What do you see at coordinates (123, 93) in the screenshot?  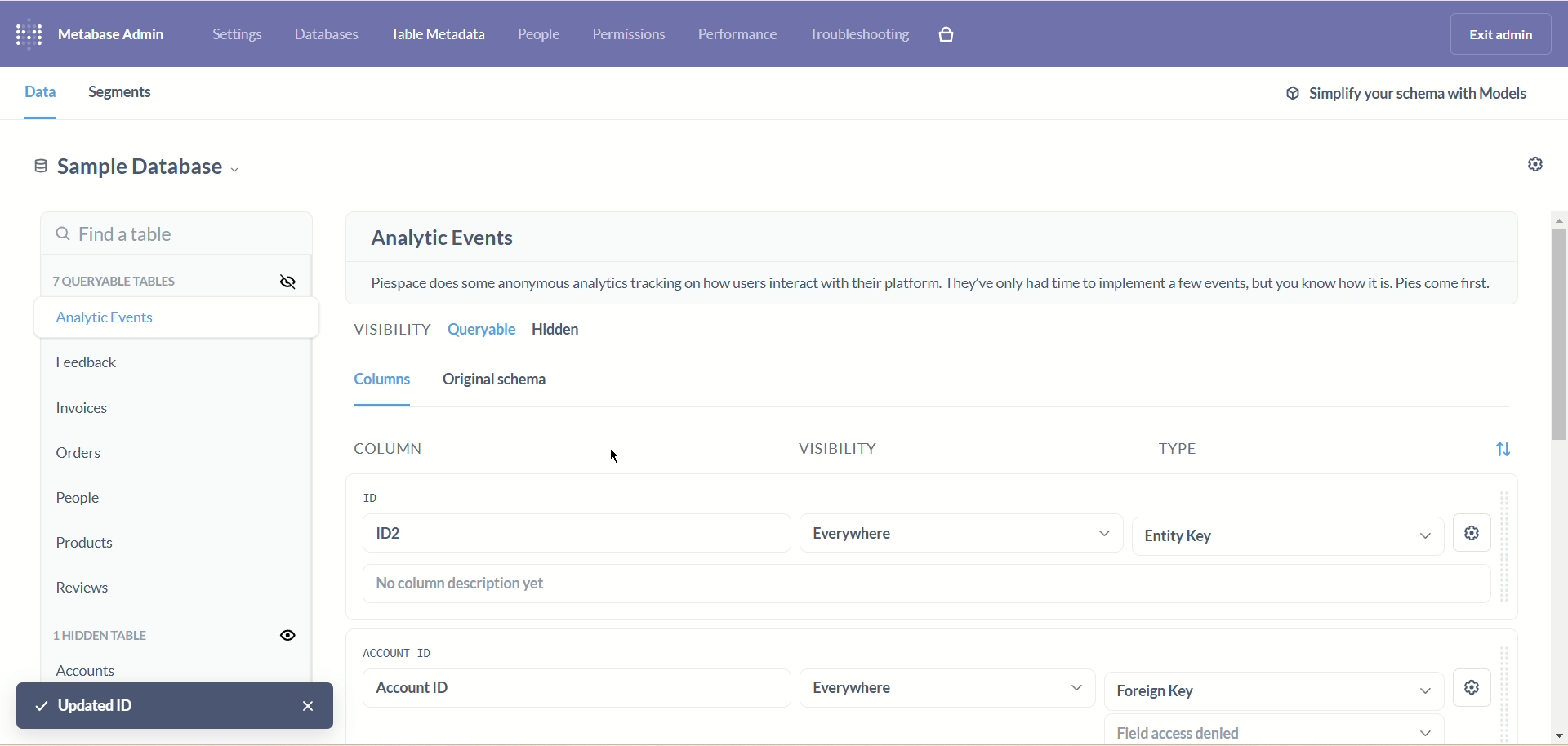 I see `Segments` at bounding box center [123, 93].